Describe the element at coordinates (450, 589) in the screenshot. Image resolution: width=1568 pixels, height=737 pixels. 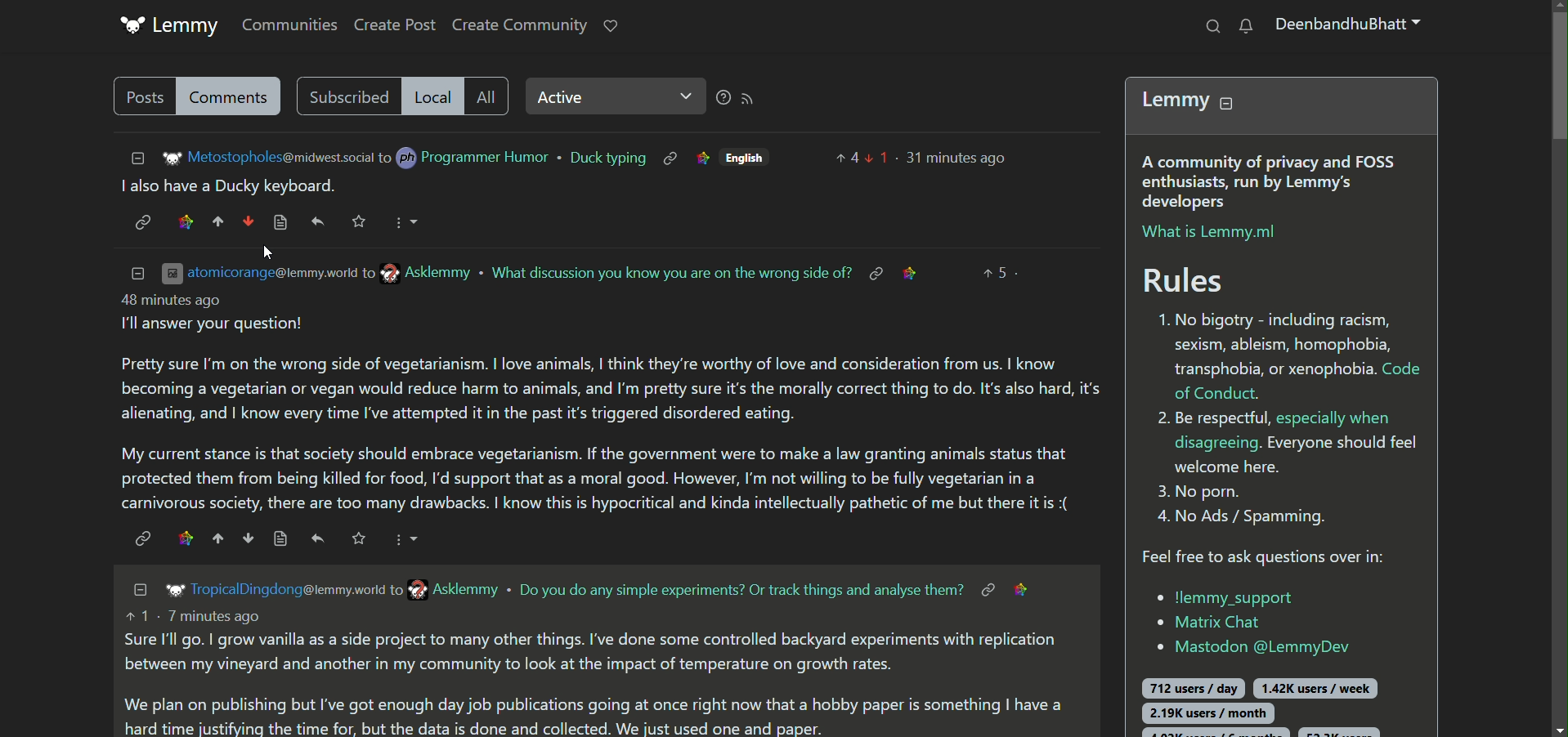
I see `email` at that location.